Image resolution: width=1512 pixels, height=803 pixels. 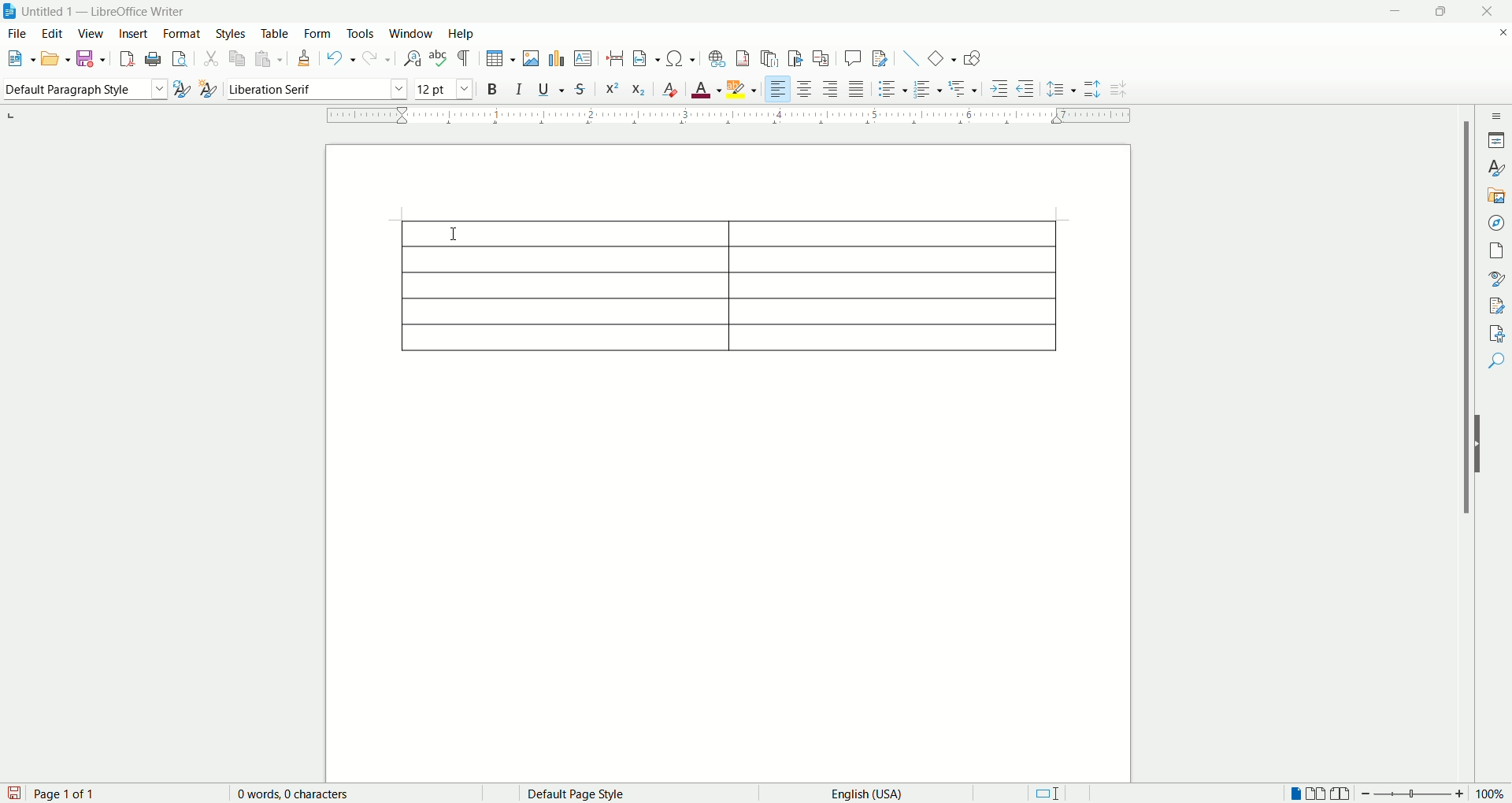 What do you see at coordinates (611, 89) in the screenshot?
I see `superscript` at bounding box center [611, 89].